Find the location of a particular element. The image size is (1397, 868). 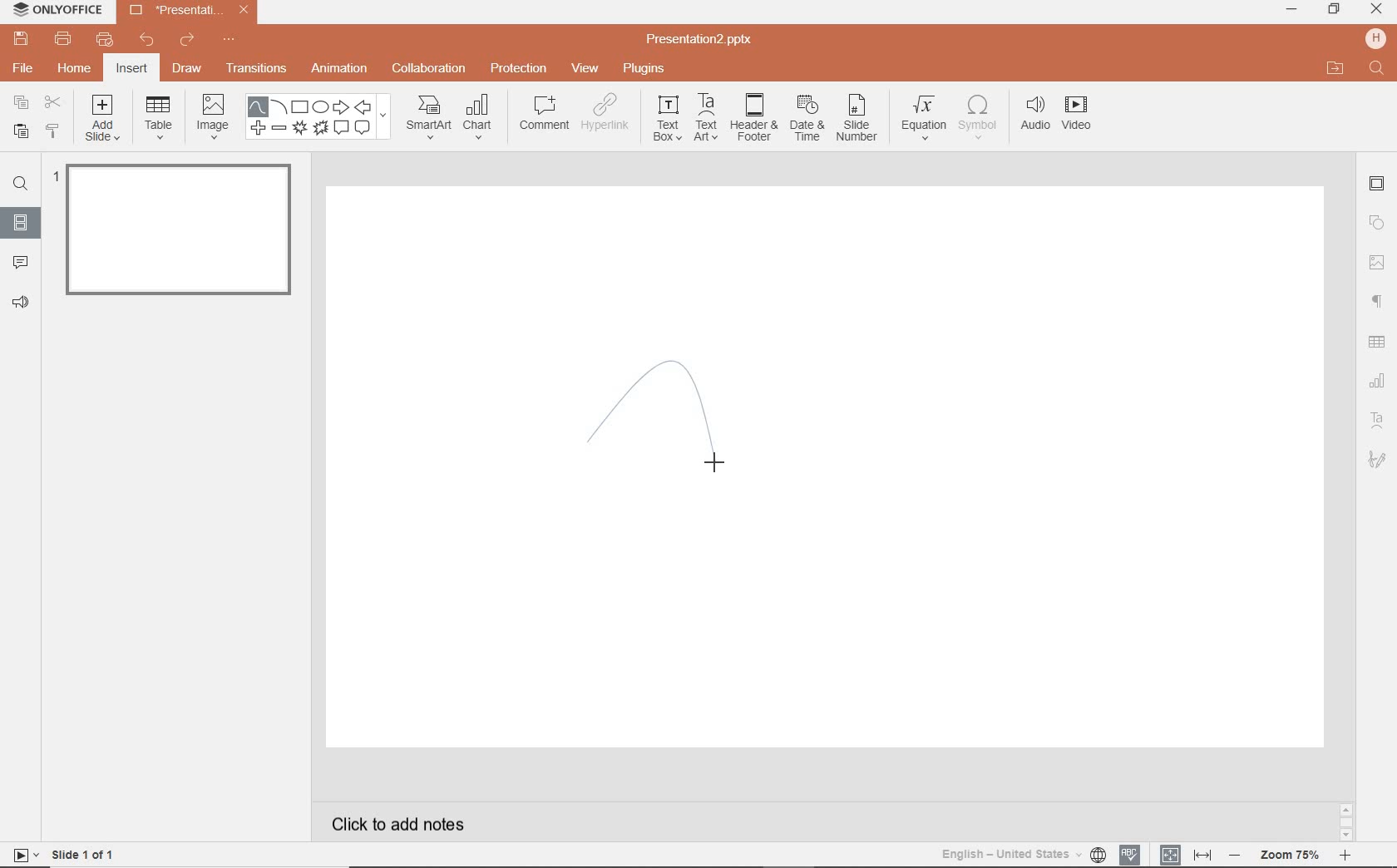

VIDEO is located at coordinates (1085, 116).